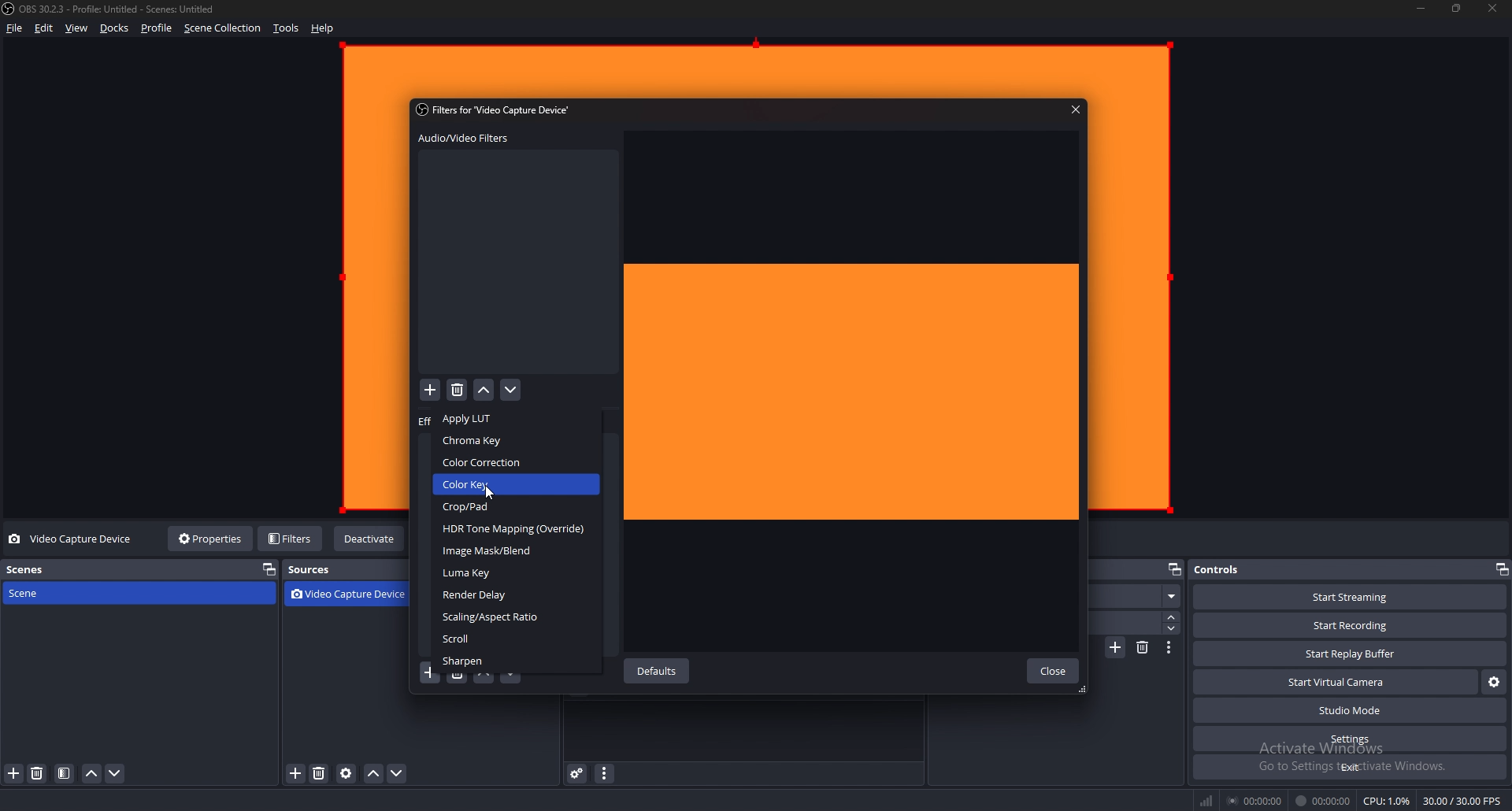 Image resolution: width=1512 pixels, height=811 pixels. What do you see at coordinates (603, 773) in the screenshot?
I see `audio mixer properties` at bounding box center [603, 773].